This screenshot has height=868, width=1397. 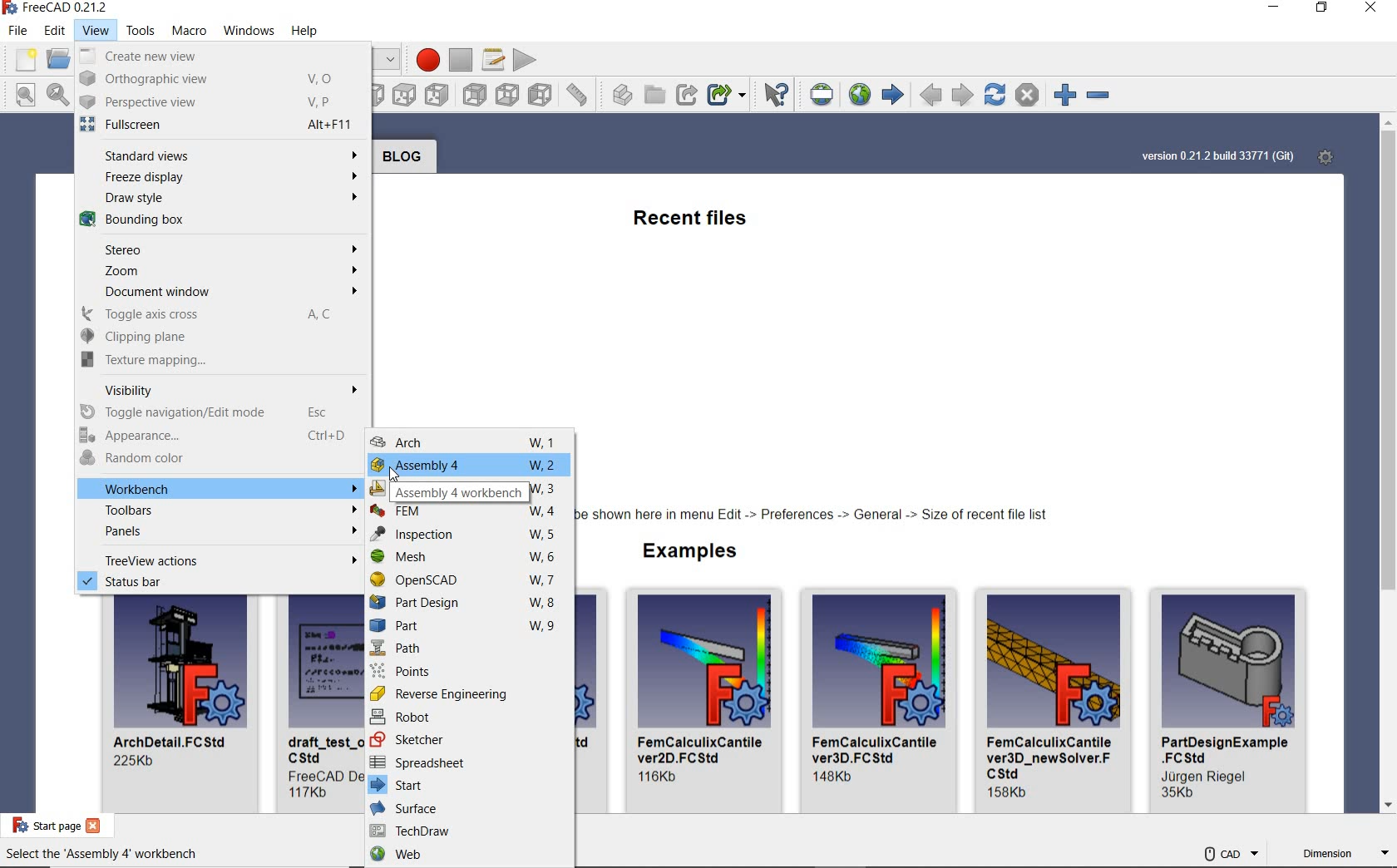 What do you see at coordinates (94, 31) in the screenshot?
I see `view` at bounding box center [94, 31].